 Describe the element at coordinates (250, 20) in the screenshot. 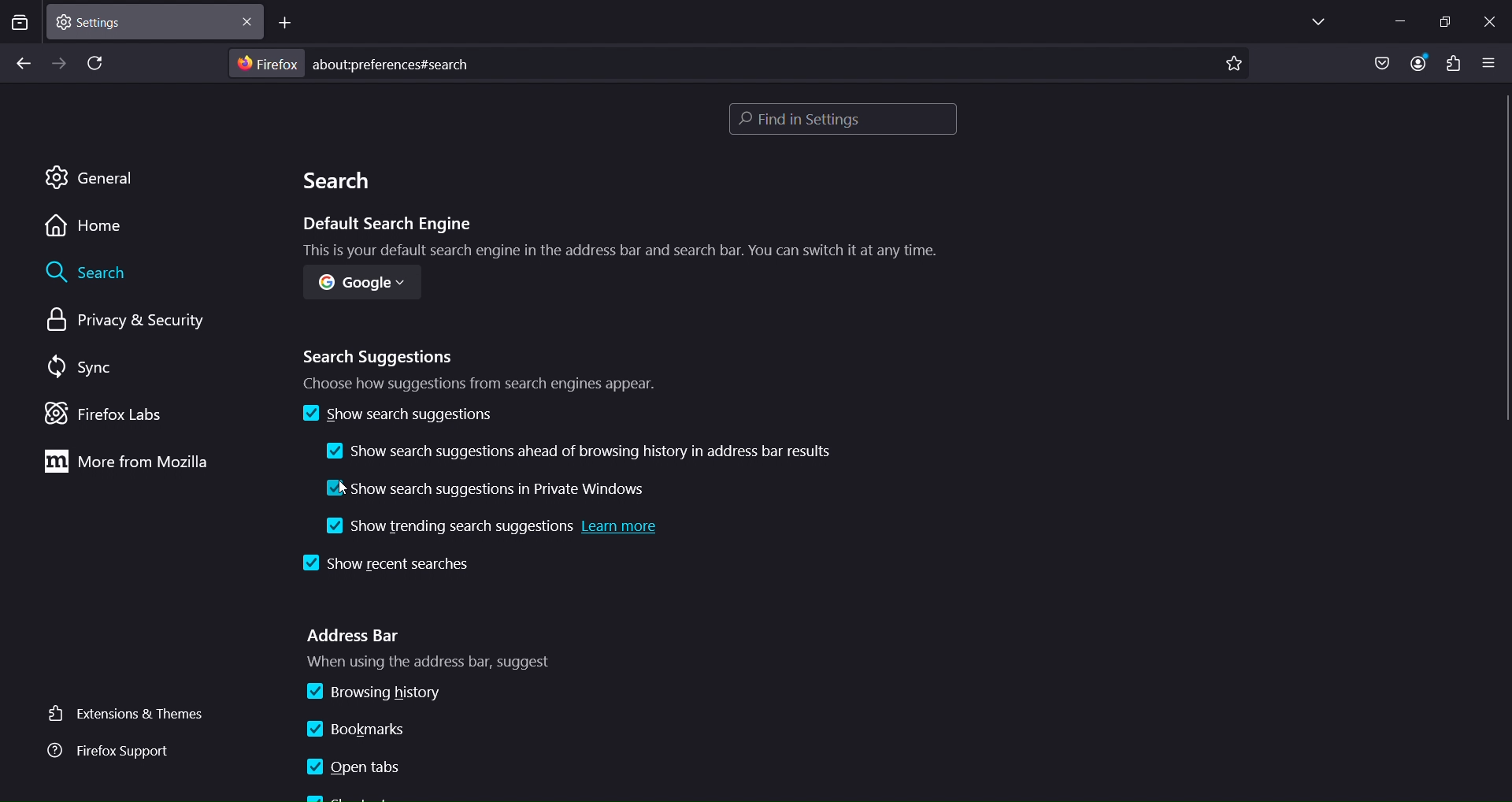

I see `close tab` at that location.